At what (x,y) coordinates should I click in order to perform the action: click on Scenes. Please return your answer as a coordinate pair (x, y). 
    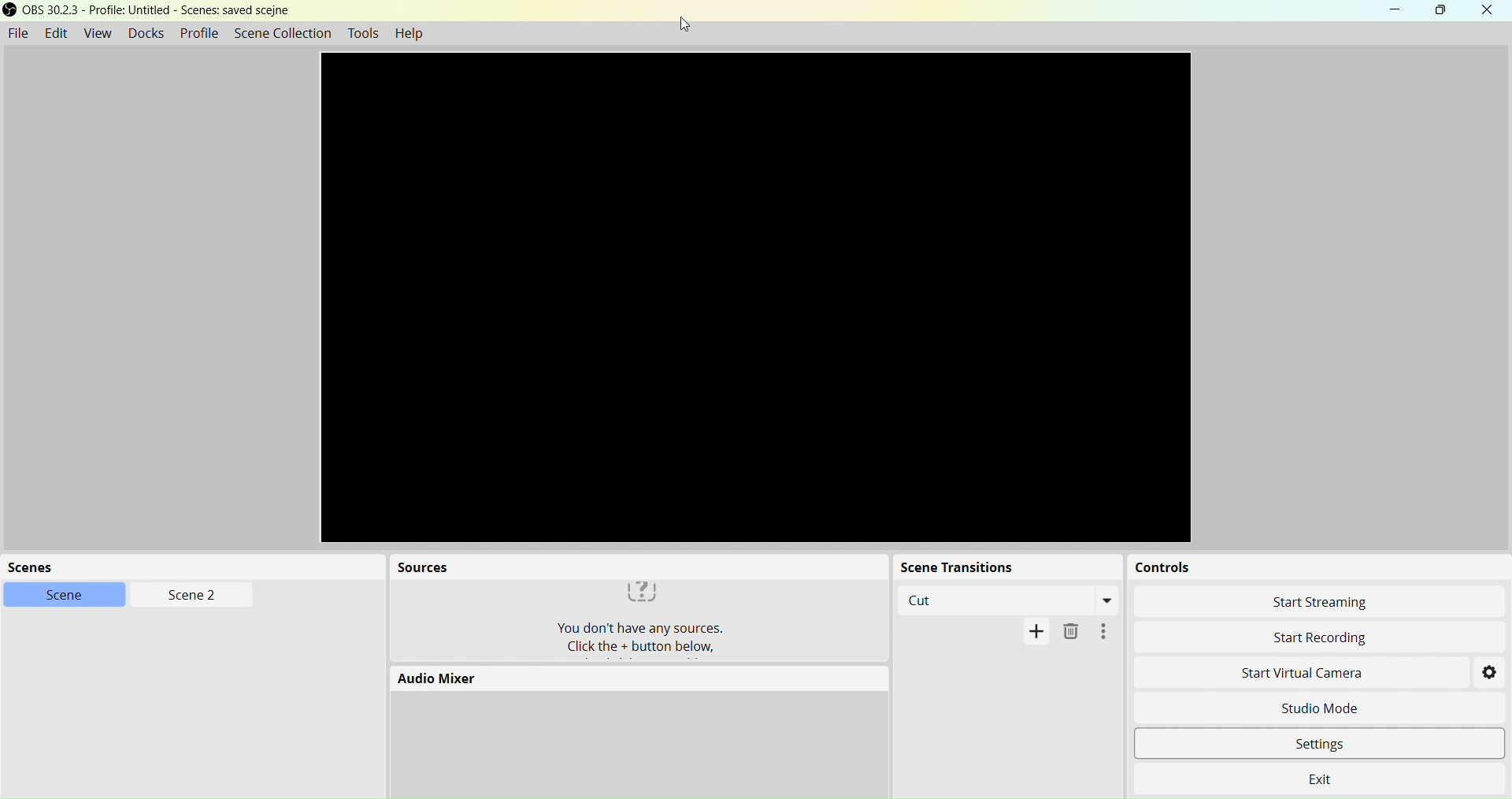
    Looking at the image, I should click on (173, 566).